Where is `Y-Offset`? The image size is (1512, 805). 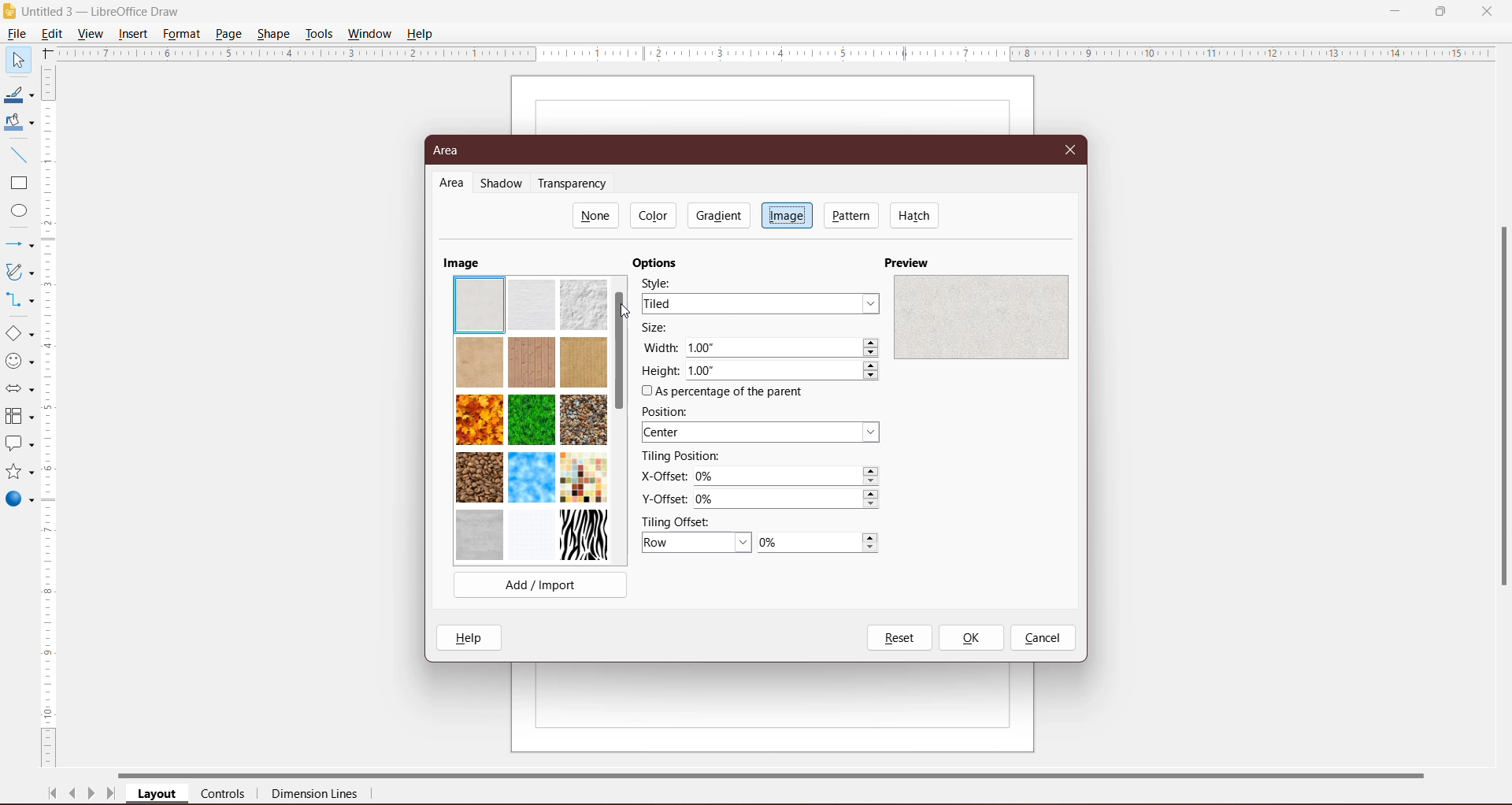 Y-Offset is located at coordinates (664, 497).